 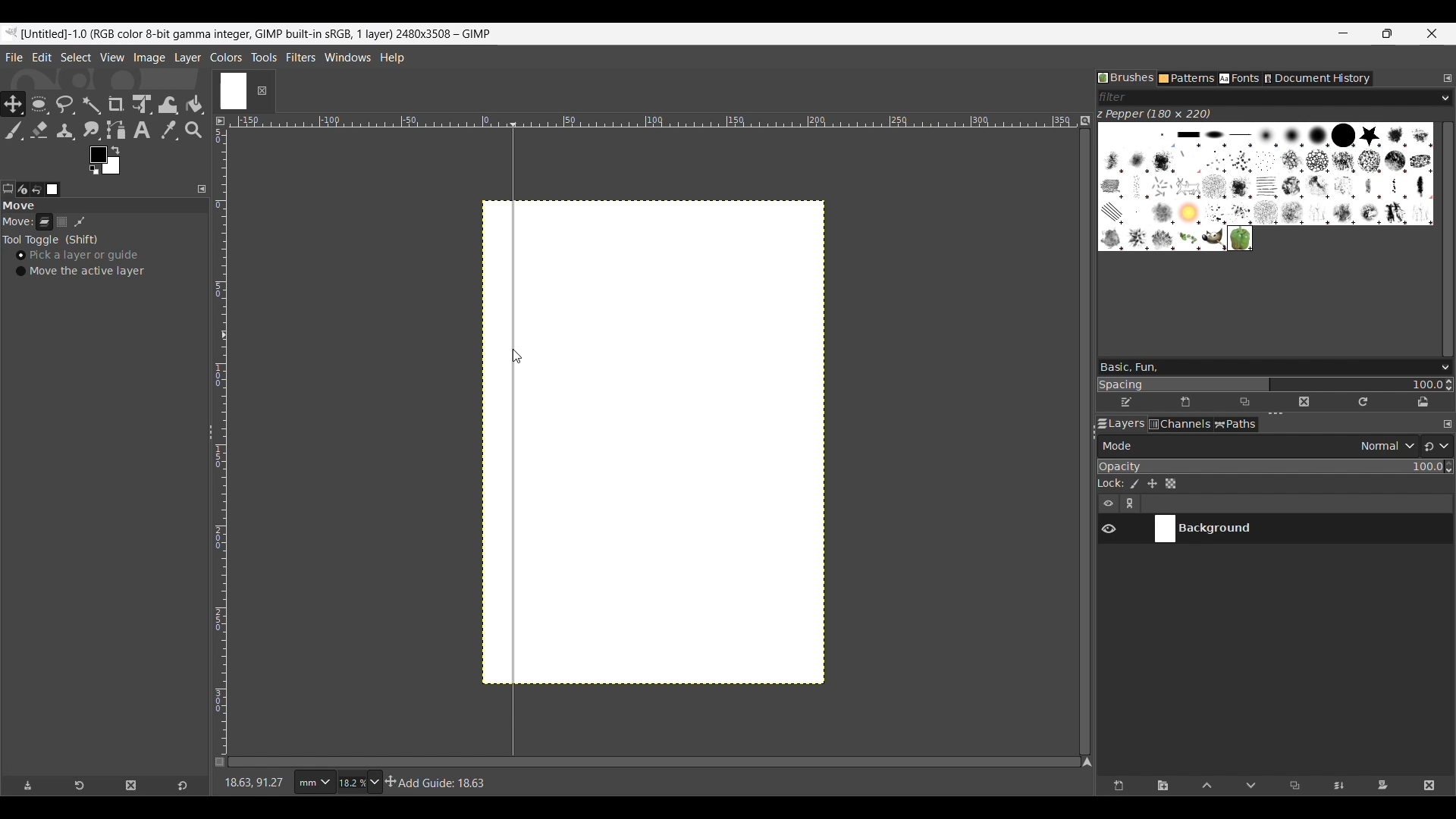 What do you see at coordinates (169, 130) in the screenshot?
I see `Color picker tool` at bounding box center [169, 130].